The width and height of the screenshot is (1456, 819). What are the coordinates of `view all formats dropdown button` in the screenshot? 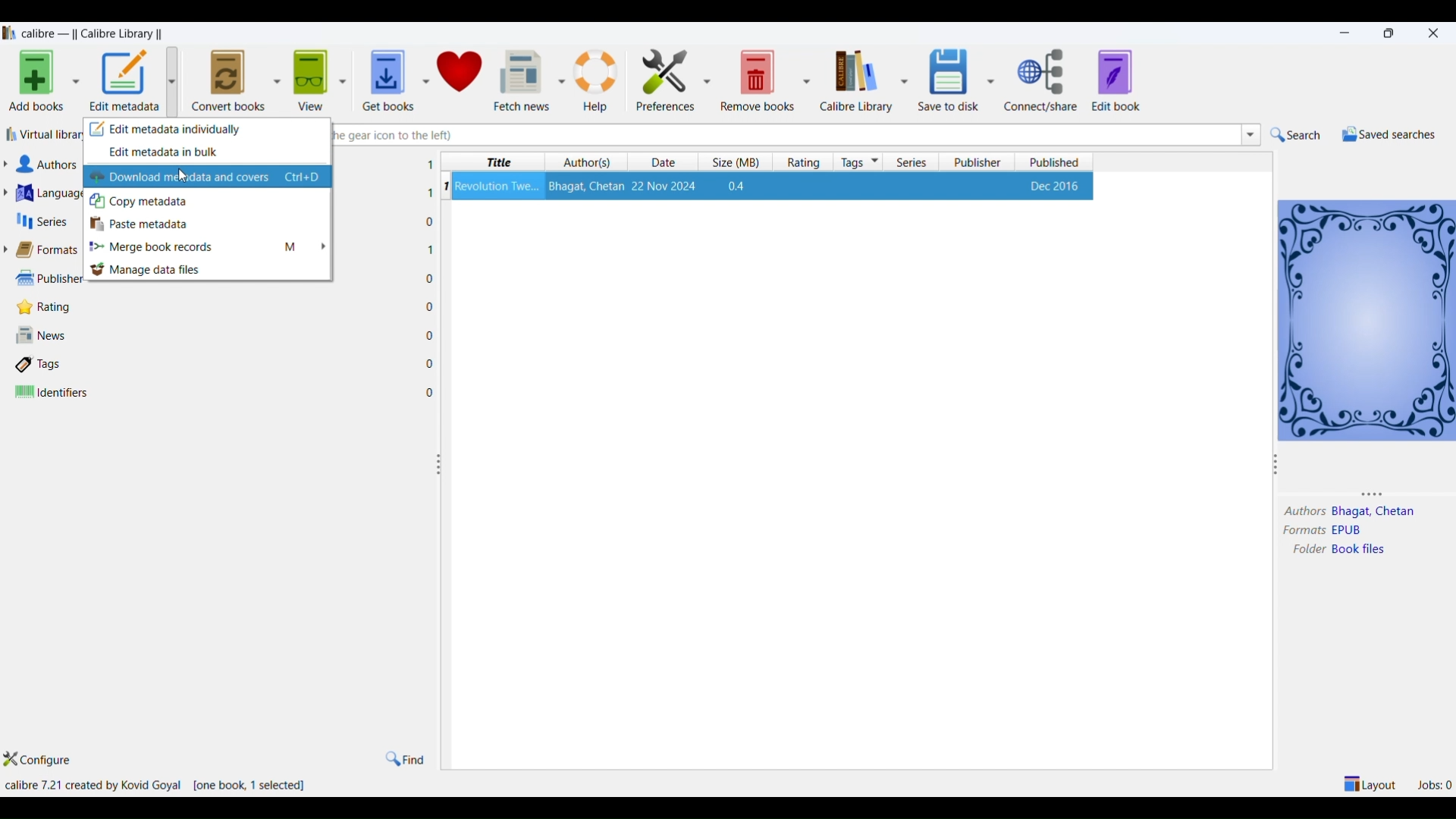 It's located at (9, 249).